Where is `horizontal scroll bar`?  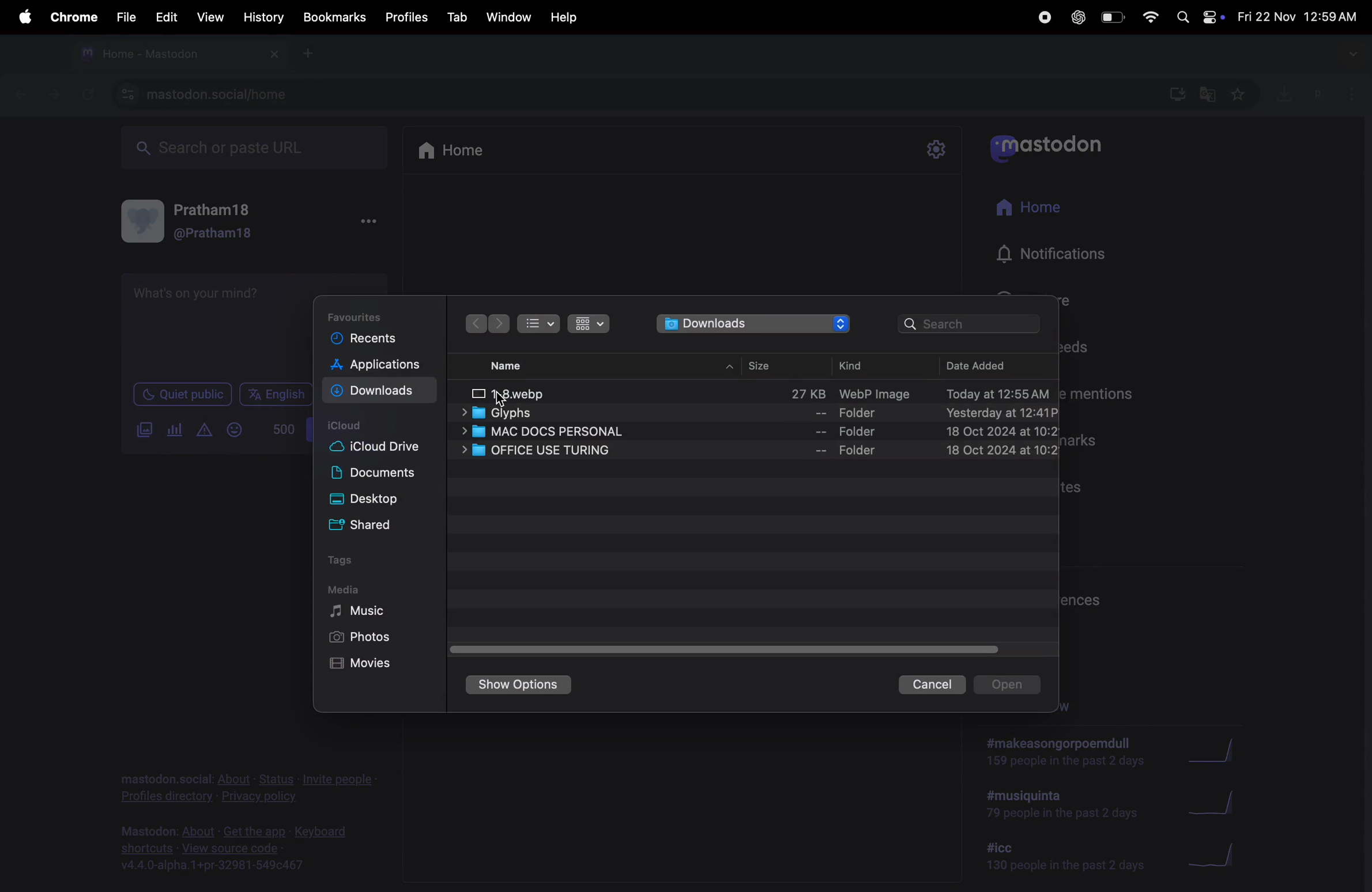 horizontal scroll bar is located at coordinates (752, 649).